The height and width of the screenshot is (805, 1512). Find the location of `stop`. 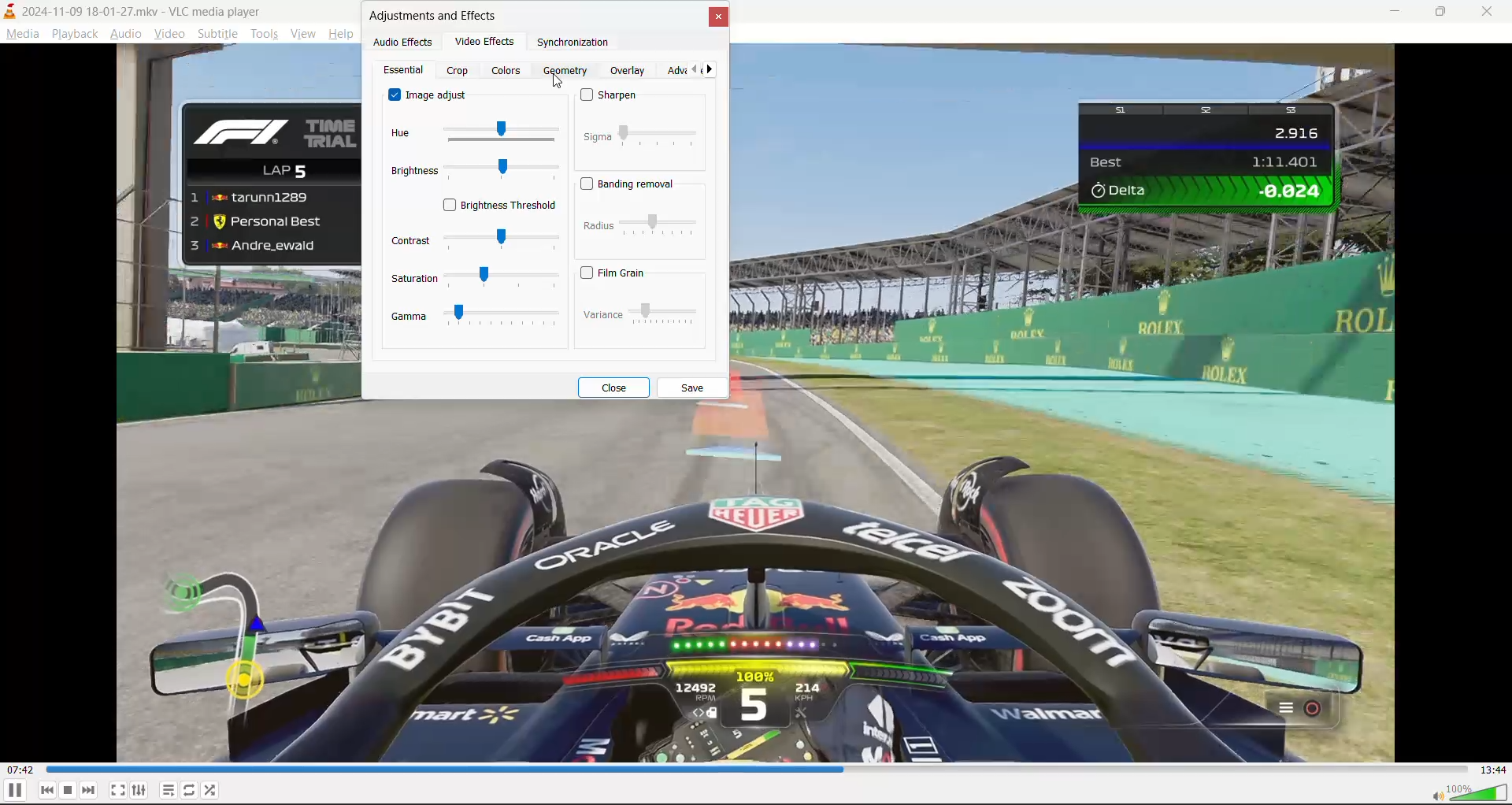

stop is located at coordinates (69, 790).